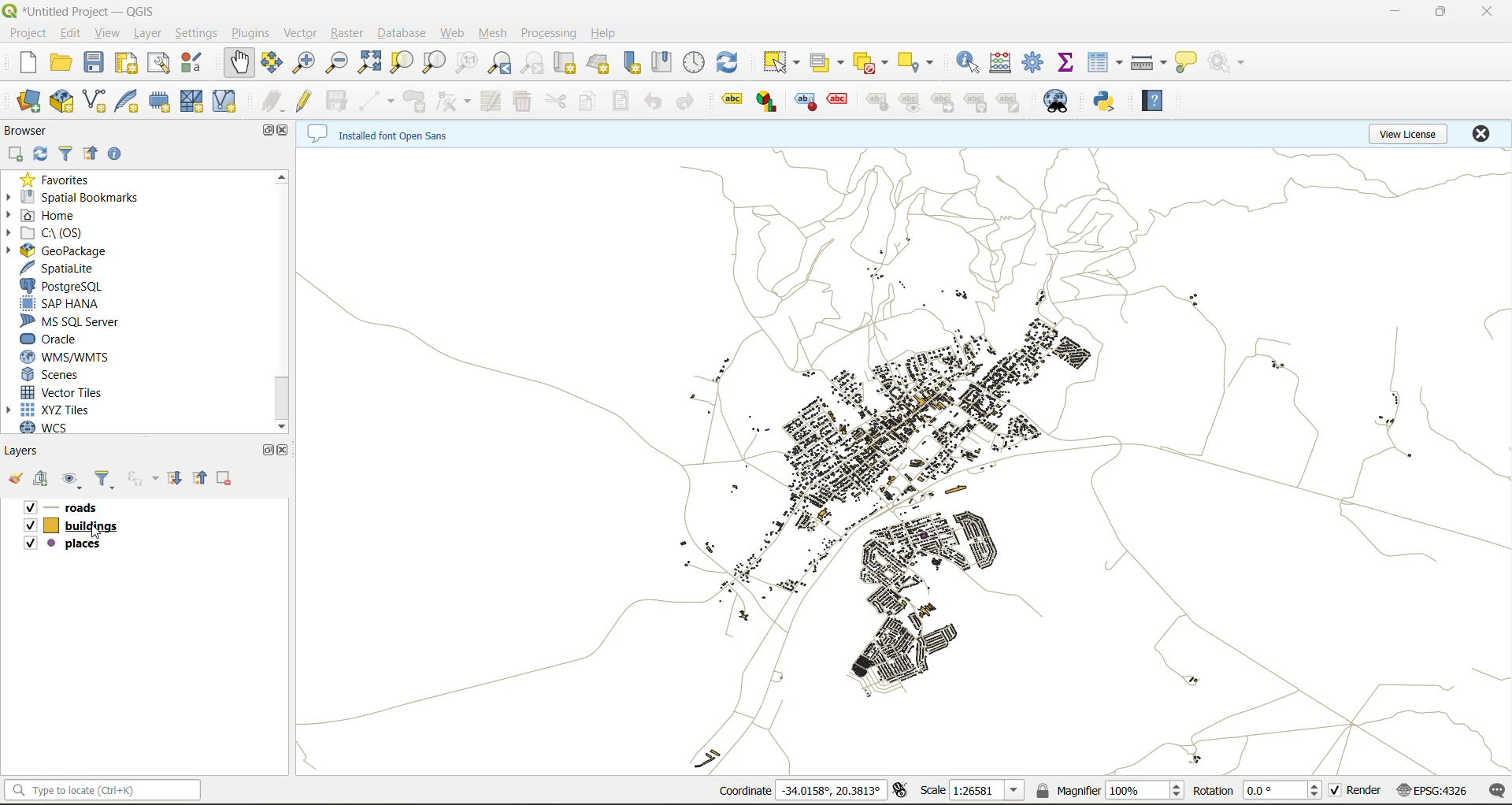 This screenshot has height=805, width=1512. What do you see at coordinates (1479, 135) in the screenshot?
I see `close` at bounding box center [1479, 135].